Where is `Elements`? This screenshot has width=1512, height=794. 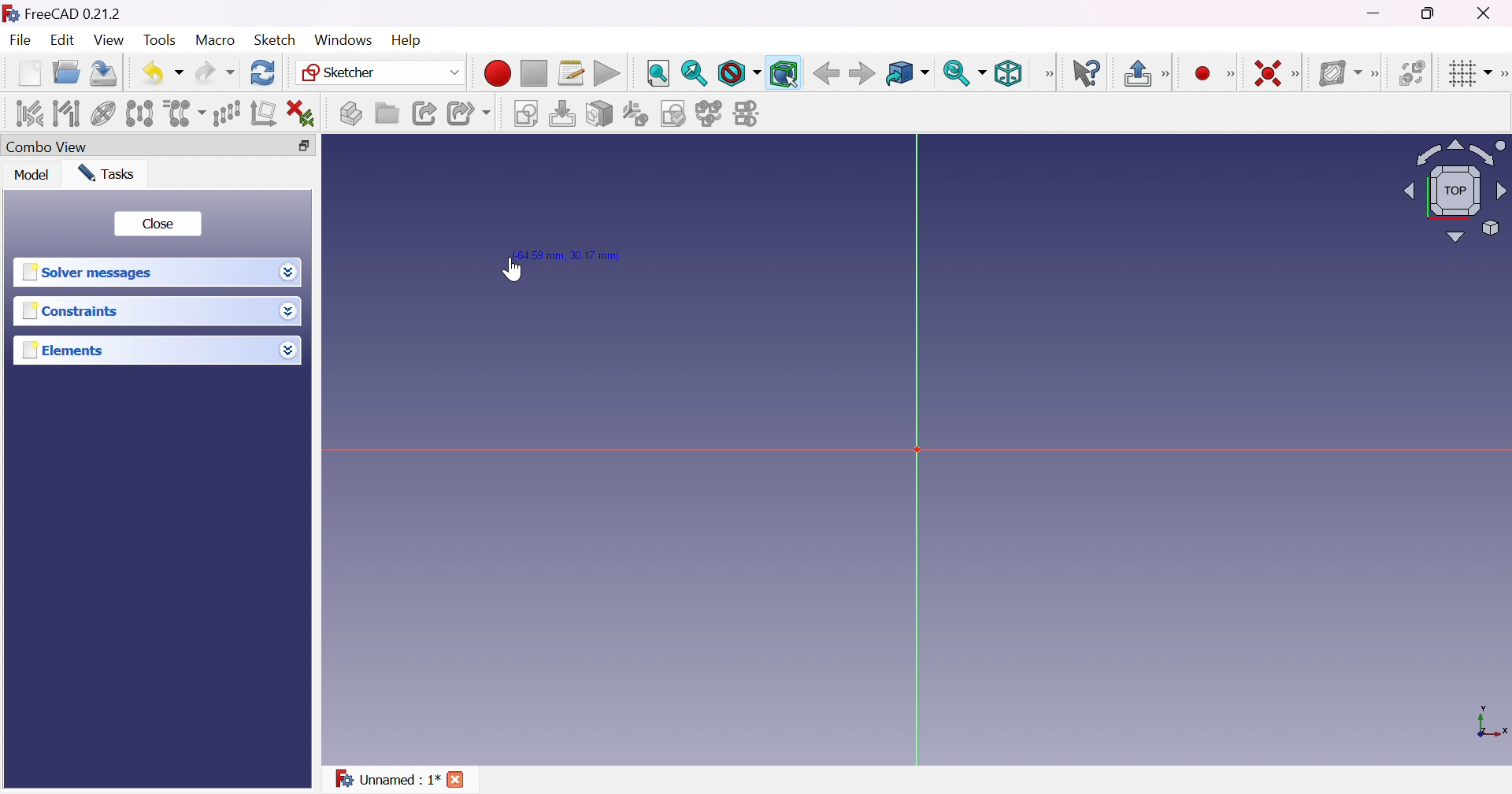
Elements is located at coordinates (63, 351).